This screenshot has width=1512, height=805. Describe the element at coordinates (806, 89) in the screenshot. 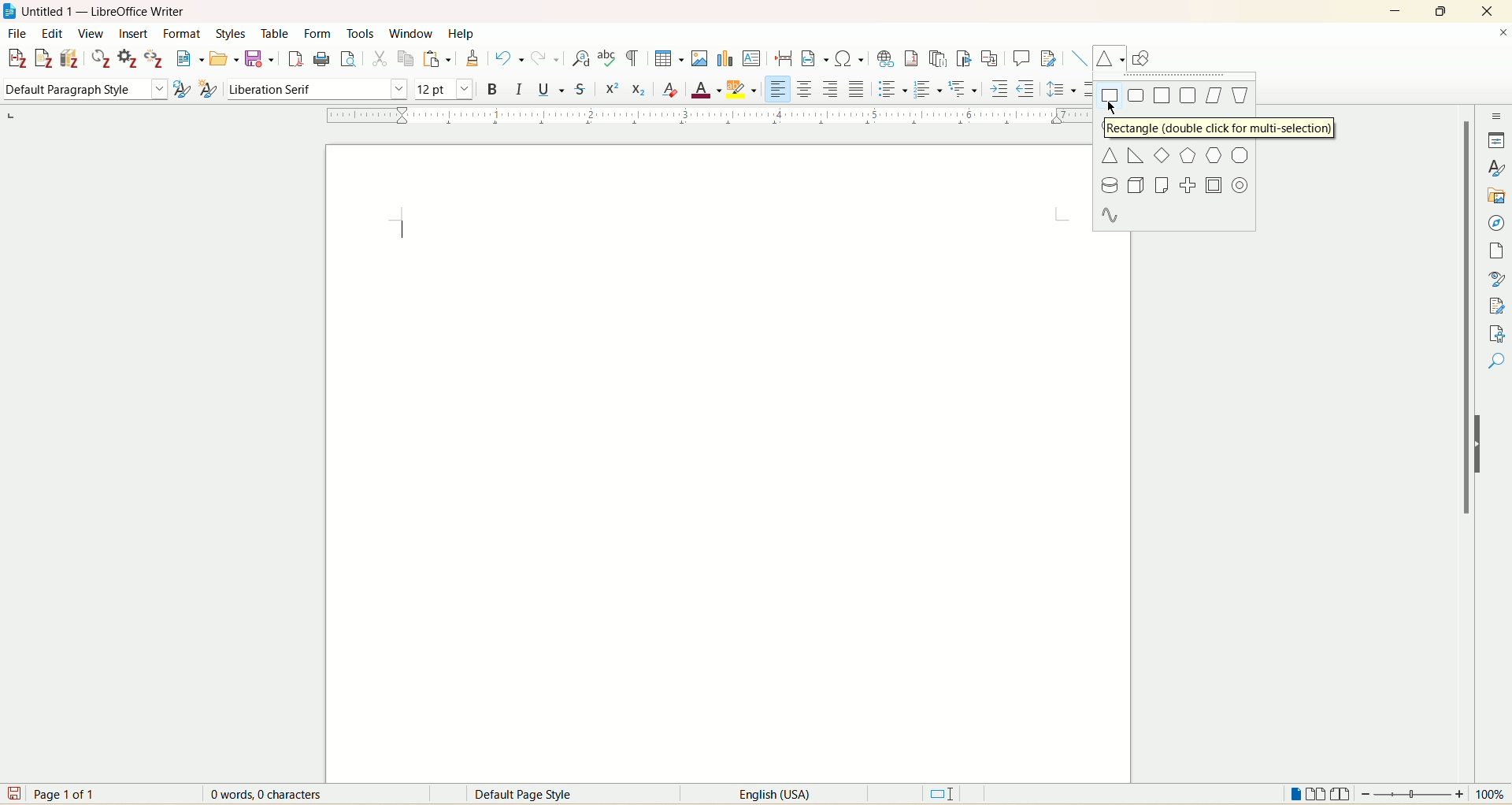

I see `align center` at that location.